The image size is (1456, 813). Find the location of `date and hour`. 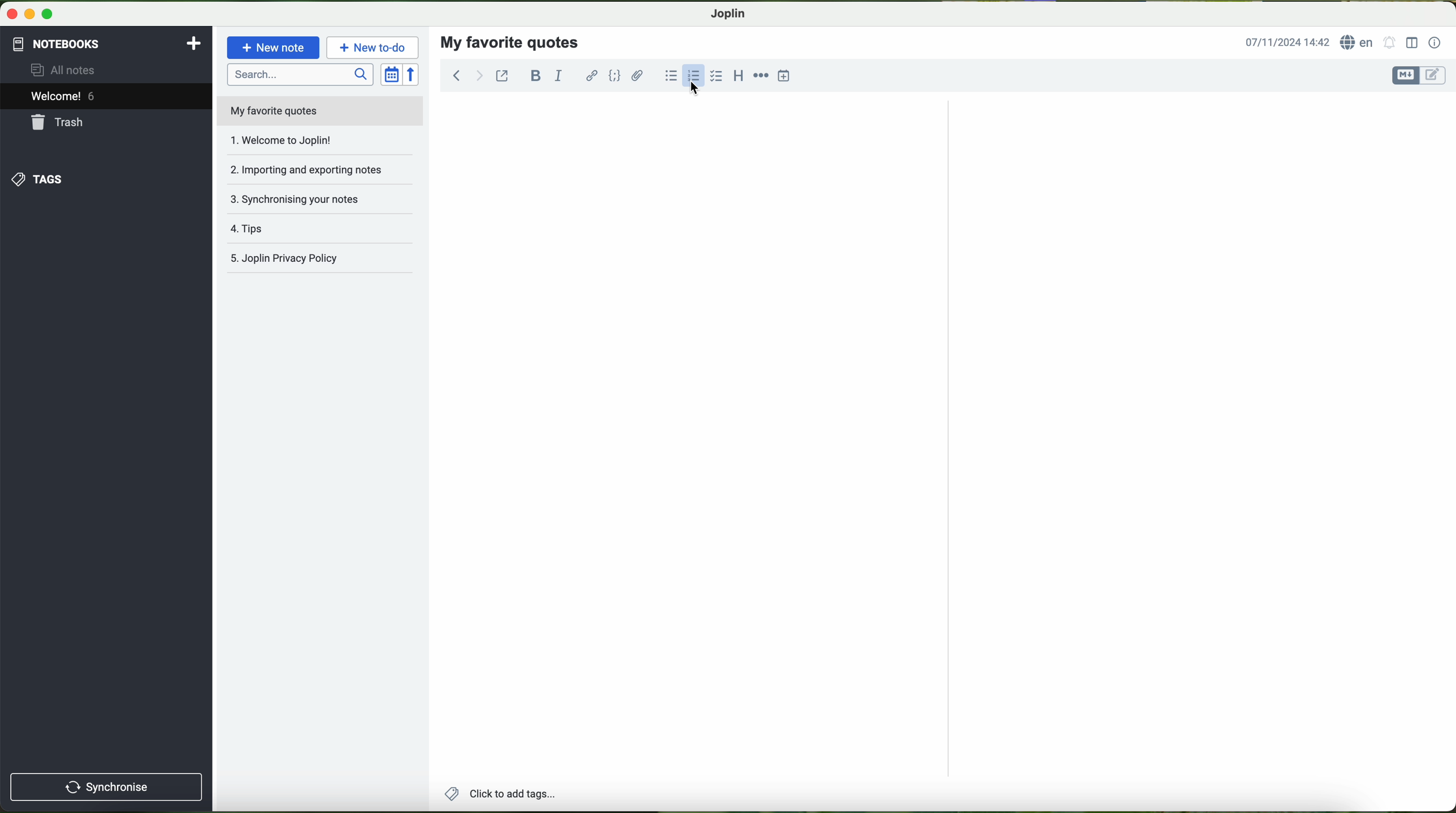

date and hour is located at coordinates (1286, 41).